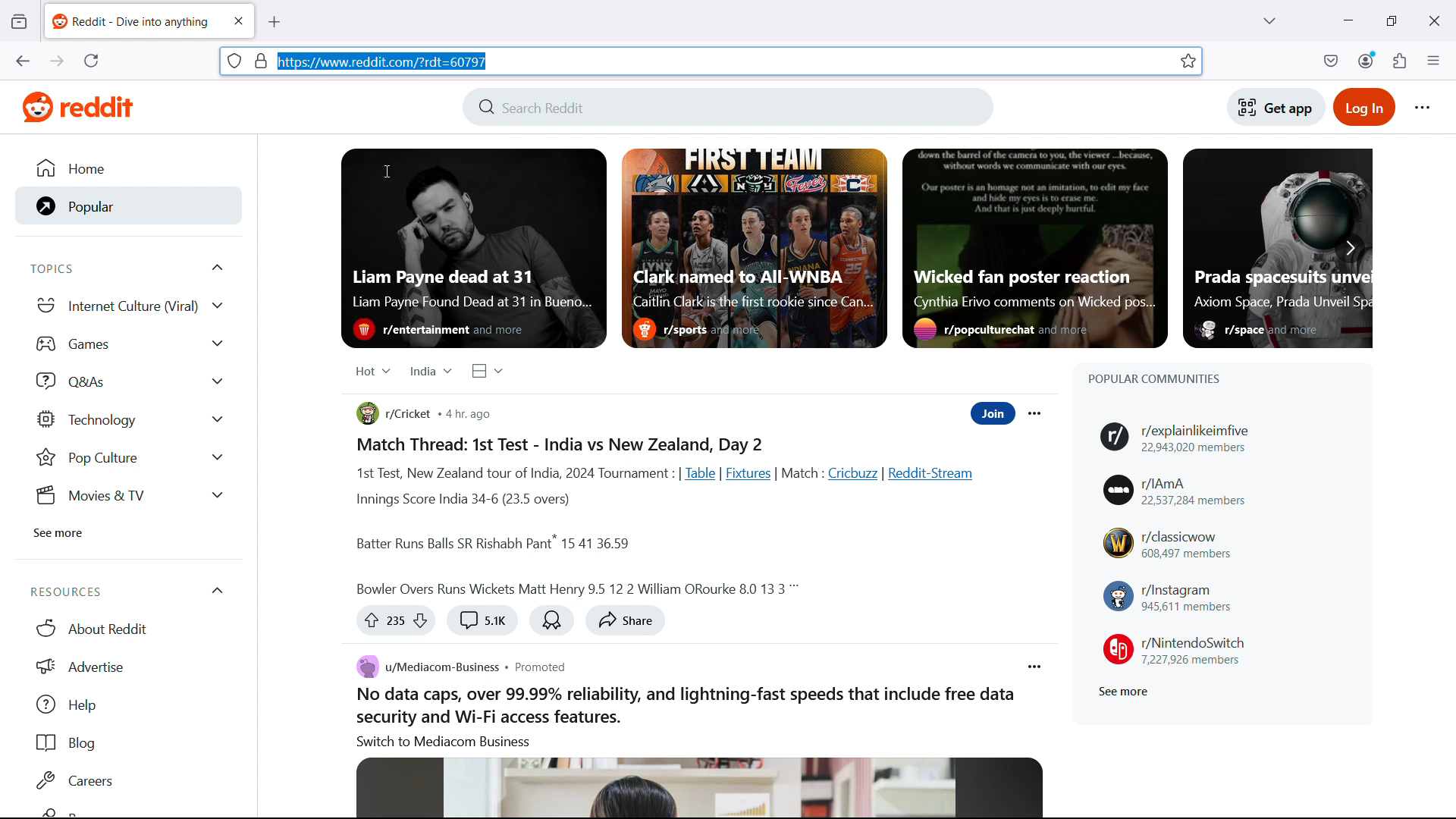 The height and width of the screenshot is (819, 1456). What do you see at coordinates (699, 788) in the screenshot?
I see `Image associated with the post` at bounding box center [699, 788].